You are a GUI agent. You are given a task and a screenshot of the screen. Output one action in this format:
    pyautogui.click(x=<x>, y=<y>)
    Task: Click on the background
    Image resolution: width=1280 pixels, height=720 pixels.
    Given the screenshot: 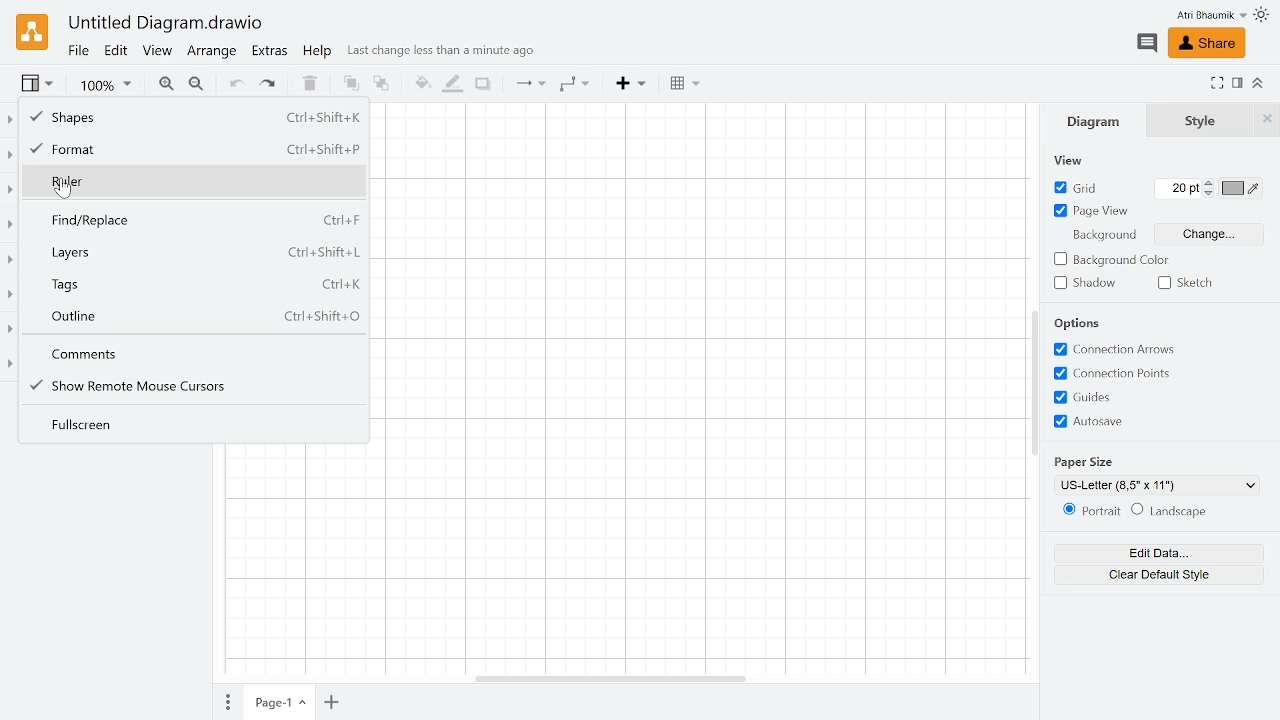 What is the action you would take?
    pyautogui.click(x=1101, y=232)
    